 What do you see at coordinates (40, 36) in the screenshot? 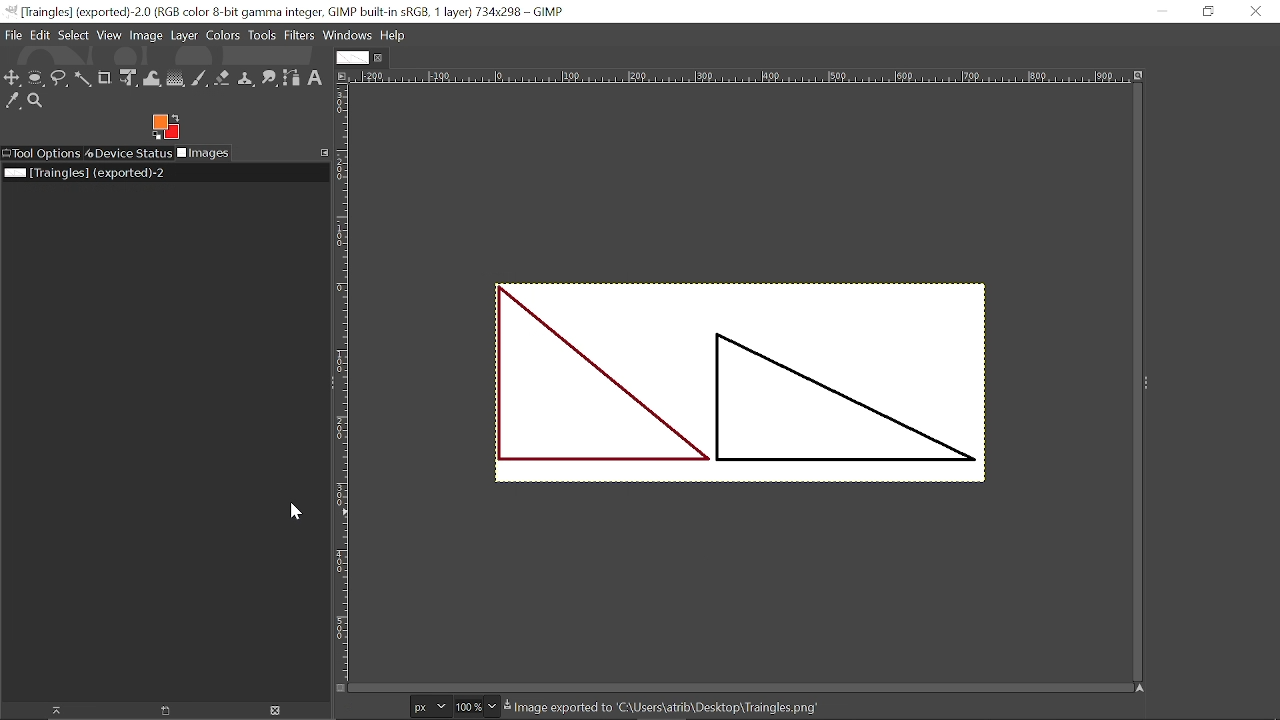
I see `File` at bounding box center [40, 36].